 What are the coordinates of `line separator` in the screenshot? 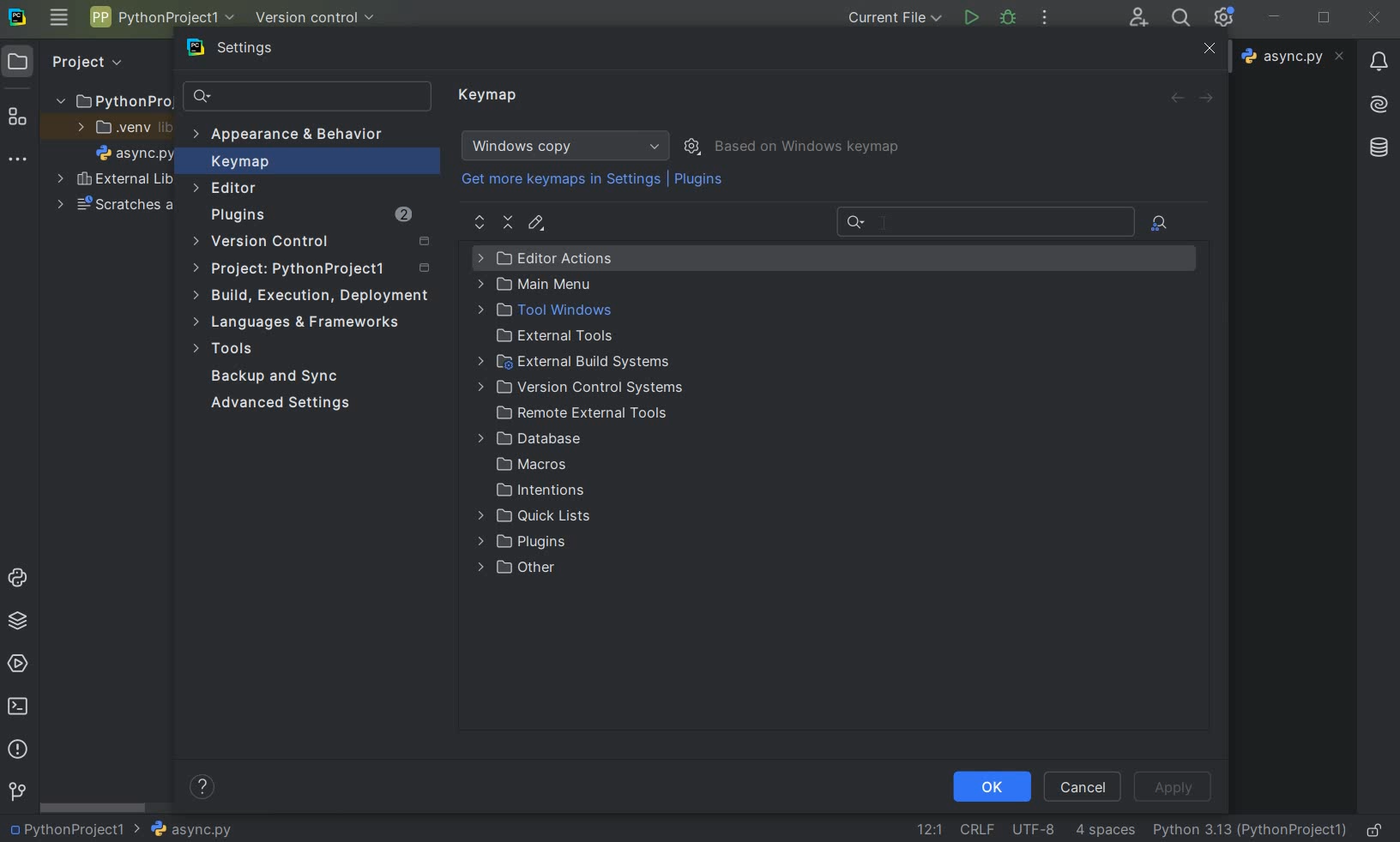 It's located at (976, 830).